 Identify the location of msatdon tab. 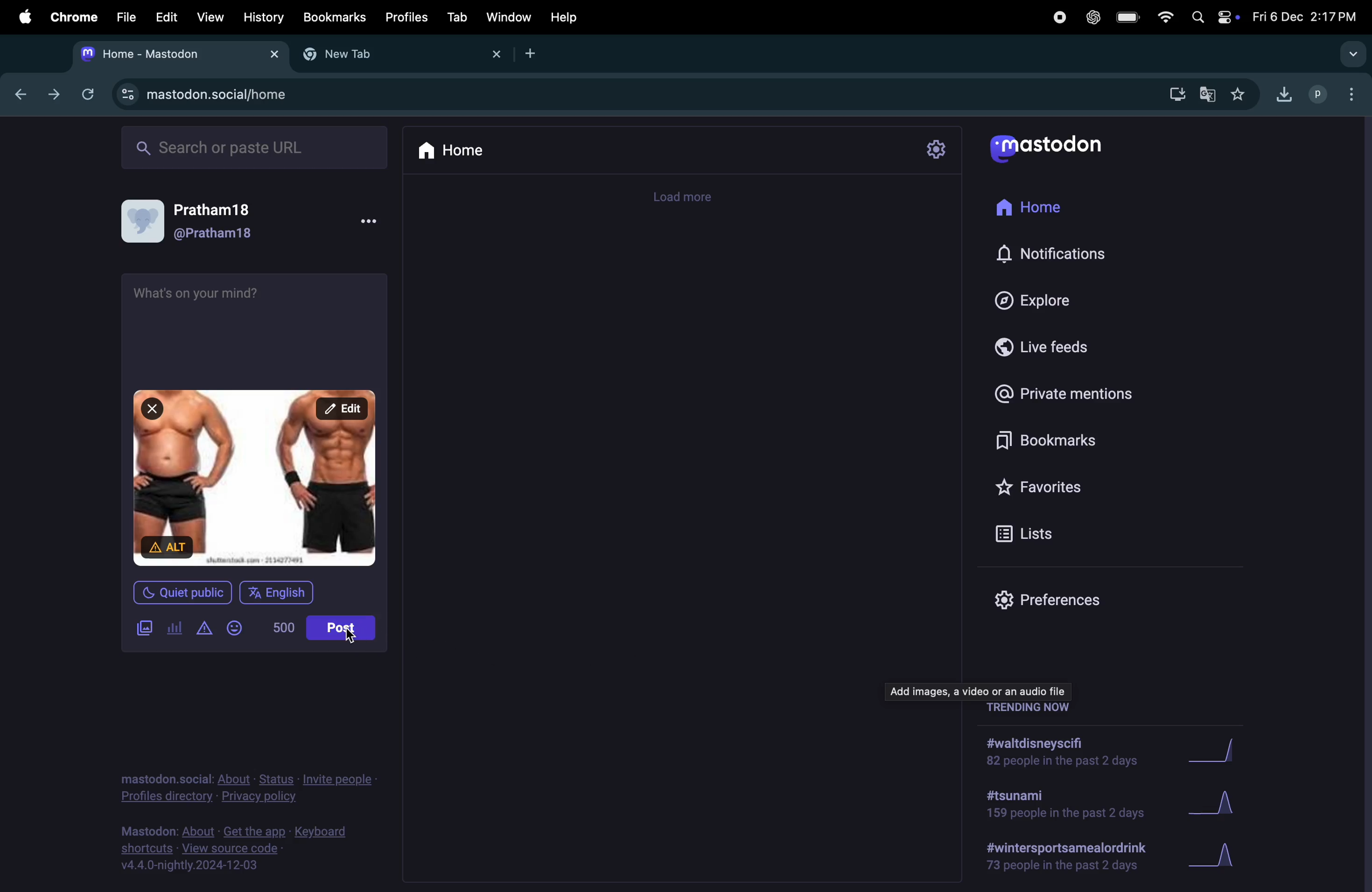
(175, 52).